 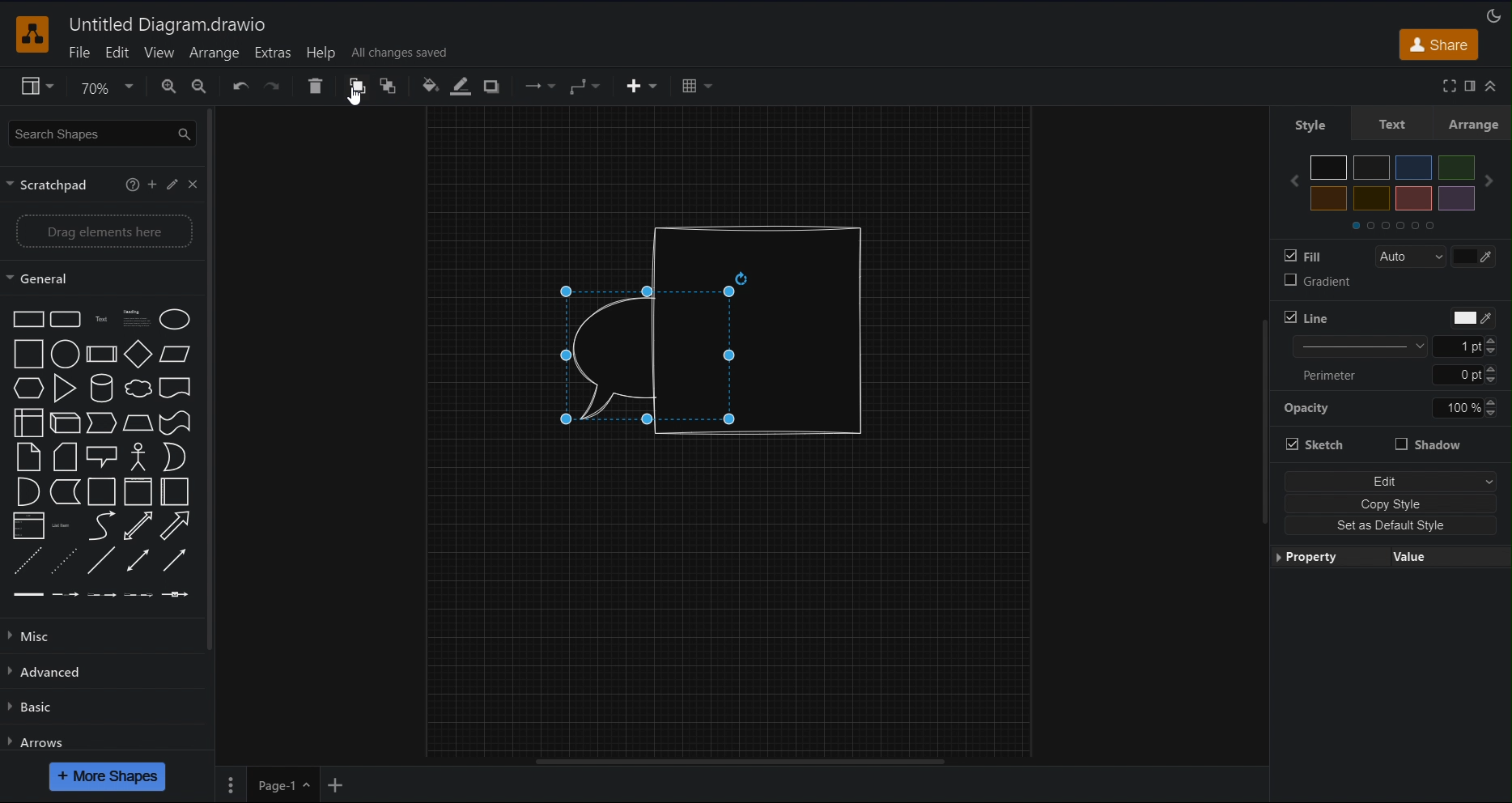 What do you see at coordinates (174, 423) in the screenshot?
I see `Tape` at bounding box center [174, 423].